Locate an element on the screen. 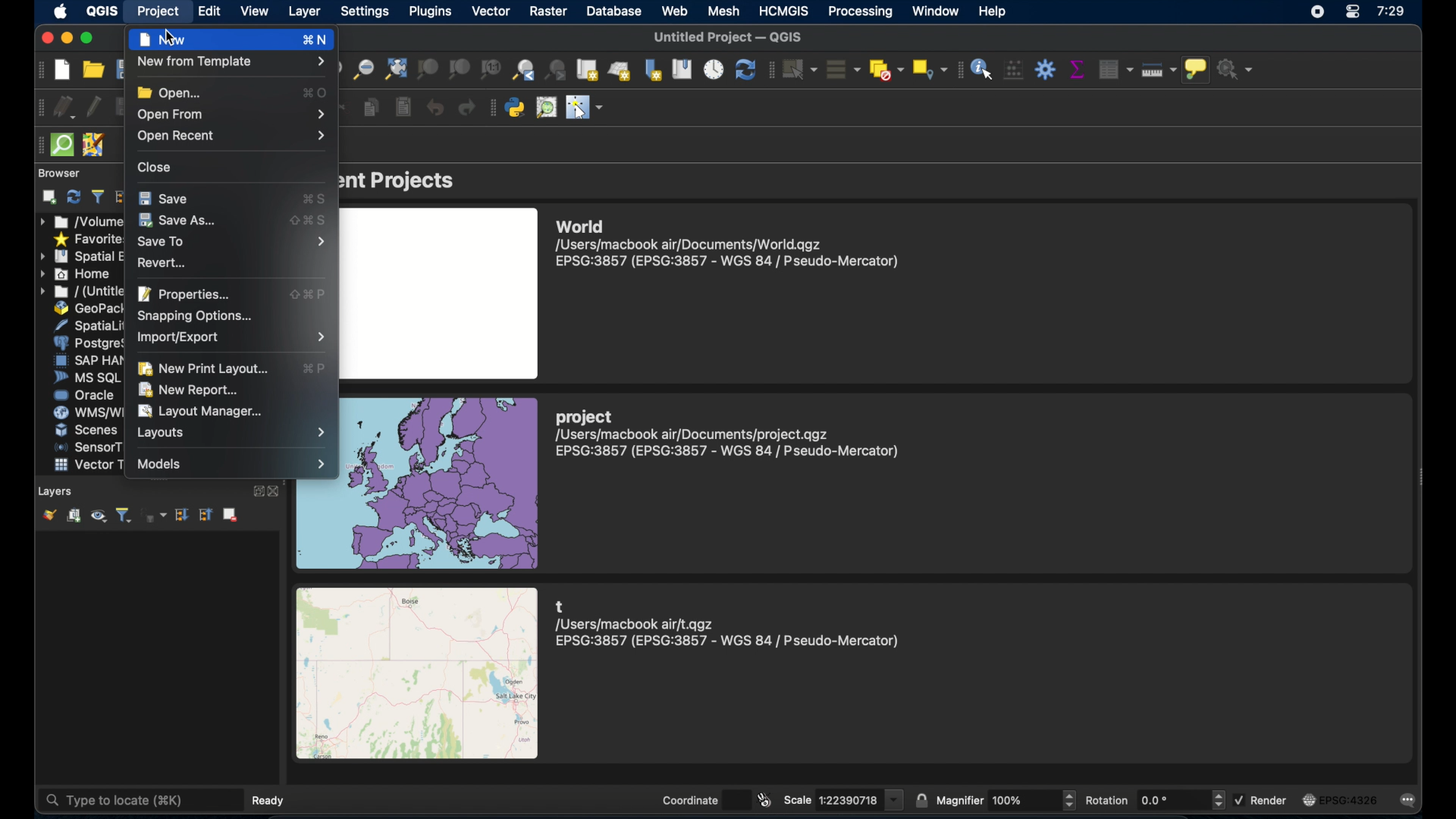 Image resolution: width=1456 pixels, height=819 pixels. collapse all is located at coordinates (206, 517).